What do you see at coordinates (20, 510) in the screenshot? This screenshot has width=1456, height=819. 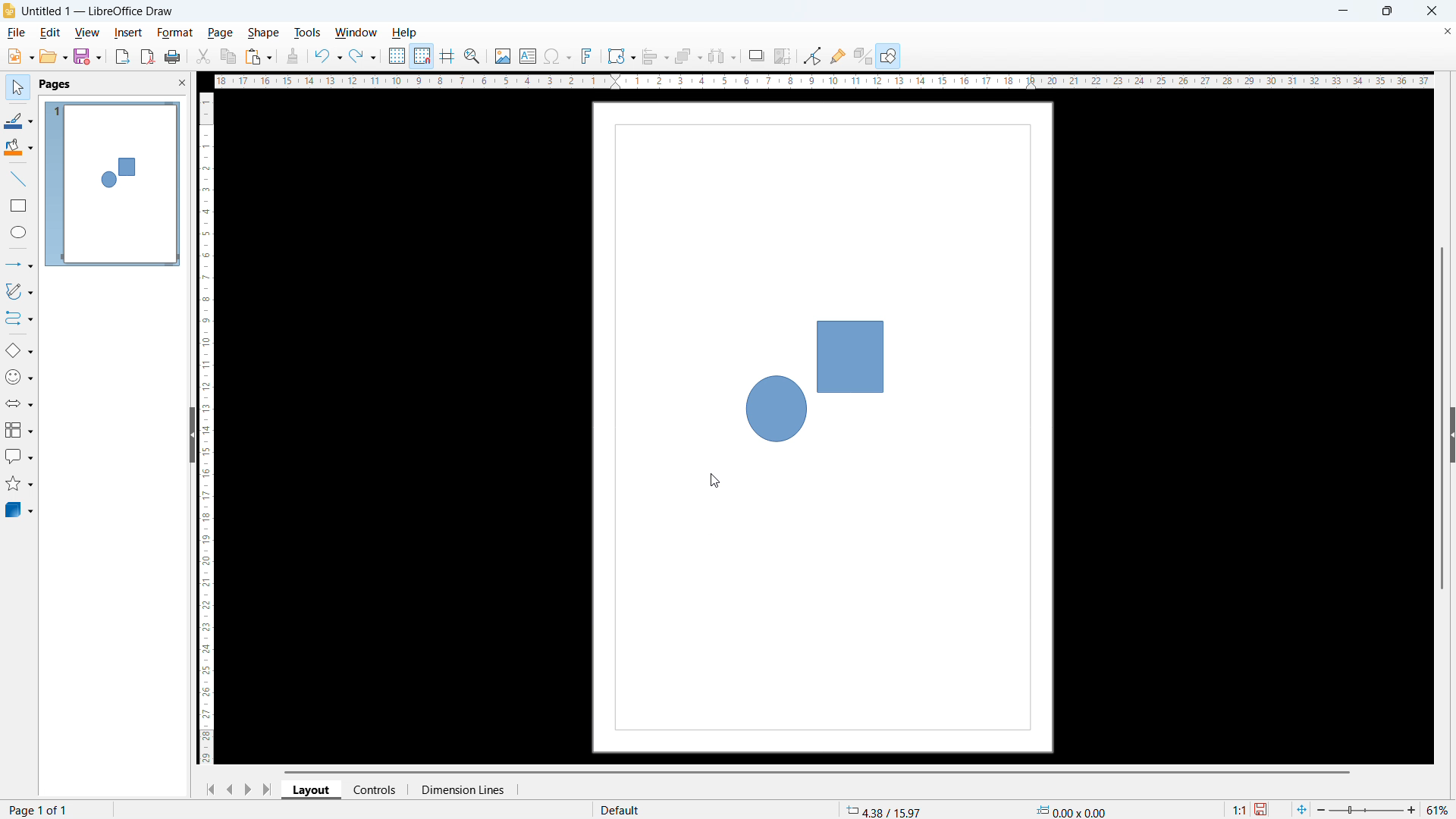 I see `3D object` at bounding box center [20, 510].